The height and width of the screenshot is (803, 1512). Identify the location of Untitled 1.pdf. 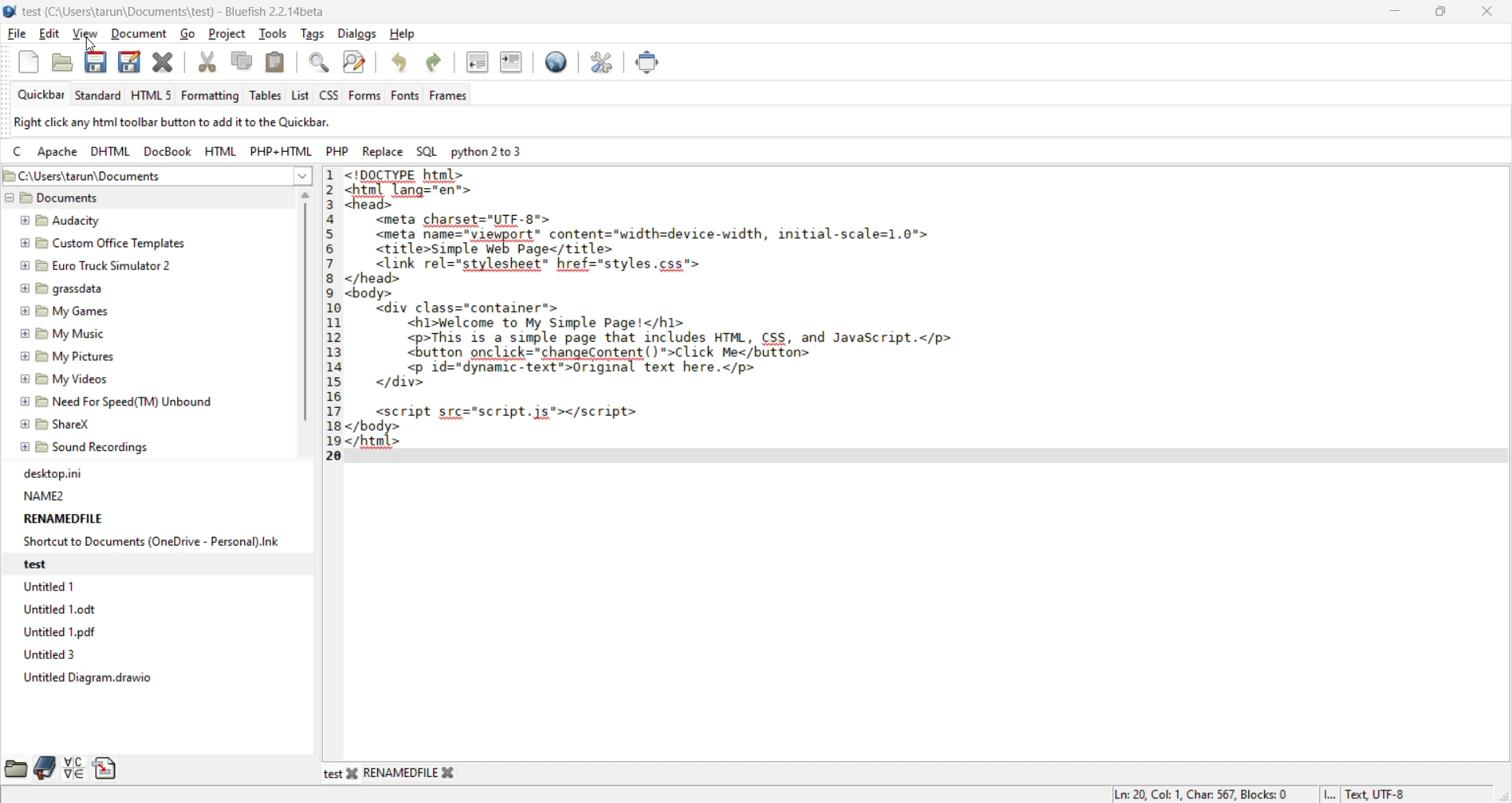
(61, 633).